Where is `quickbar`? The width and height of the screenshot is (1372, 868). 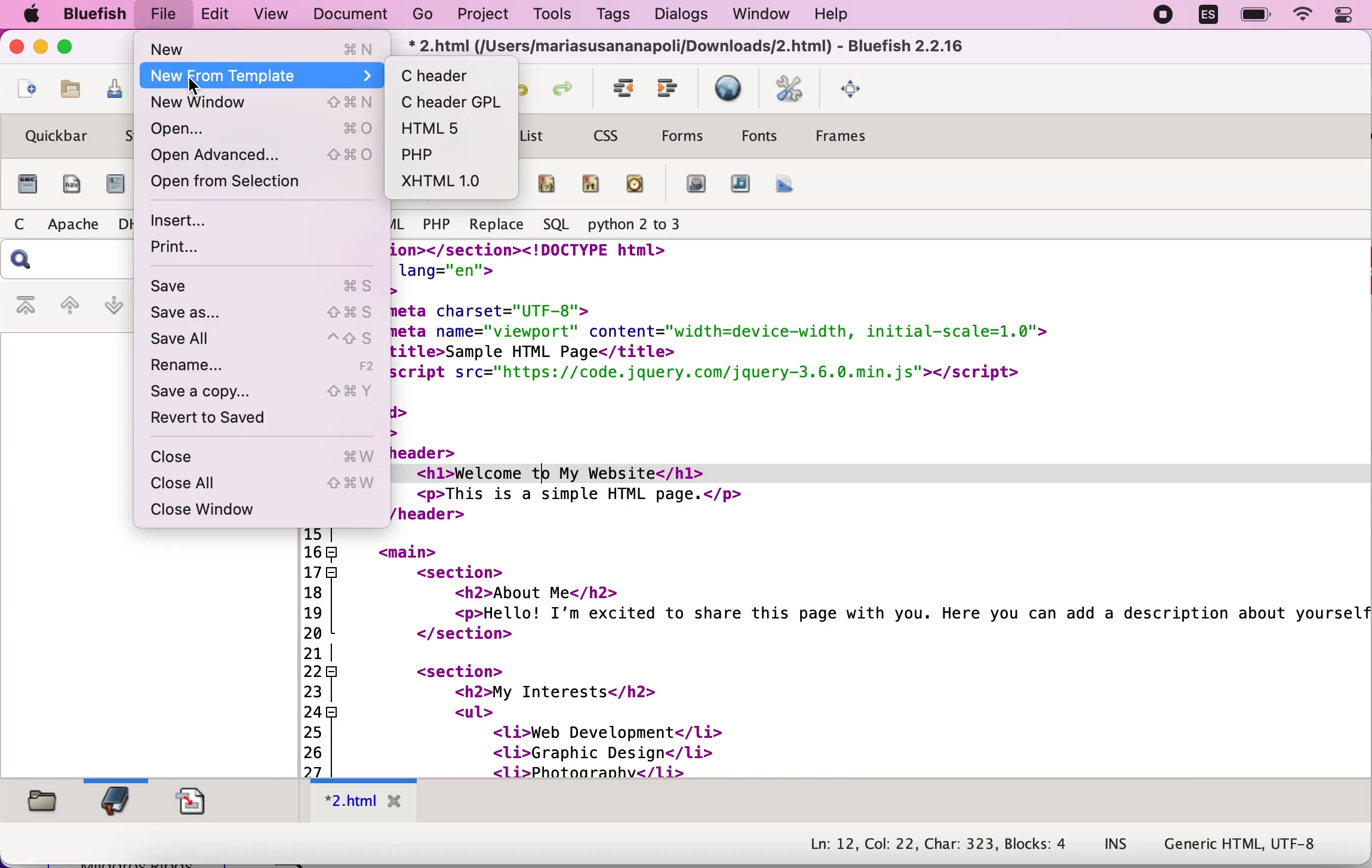 quickbar is located at coordinates (53, 136).